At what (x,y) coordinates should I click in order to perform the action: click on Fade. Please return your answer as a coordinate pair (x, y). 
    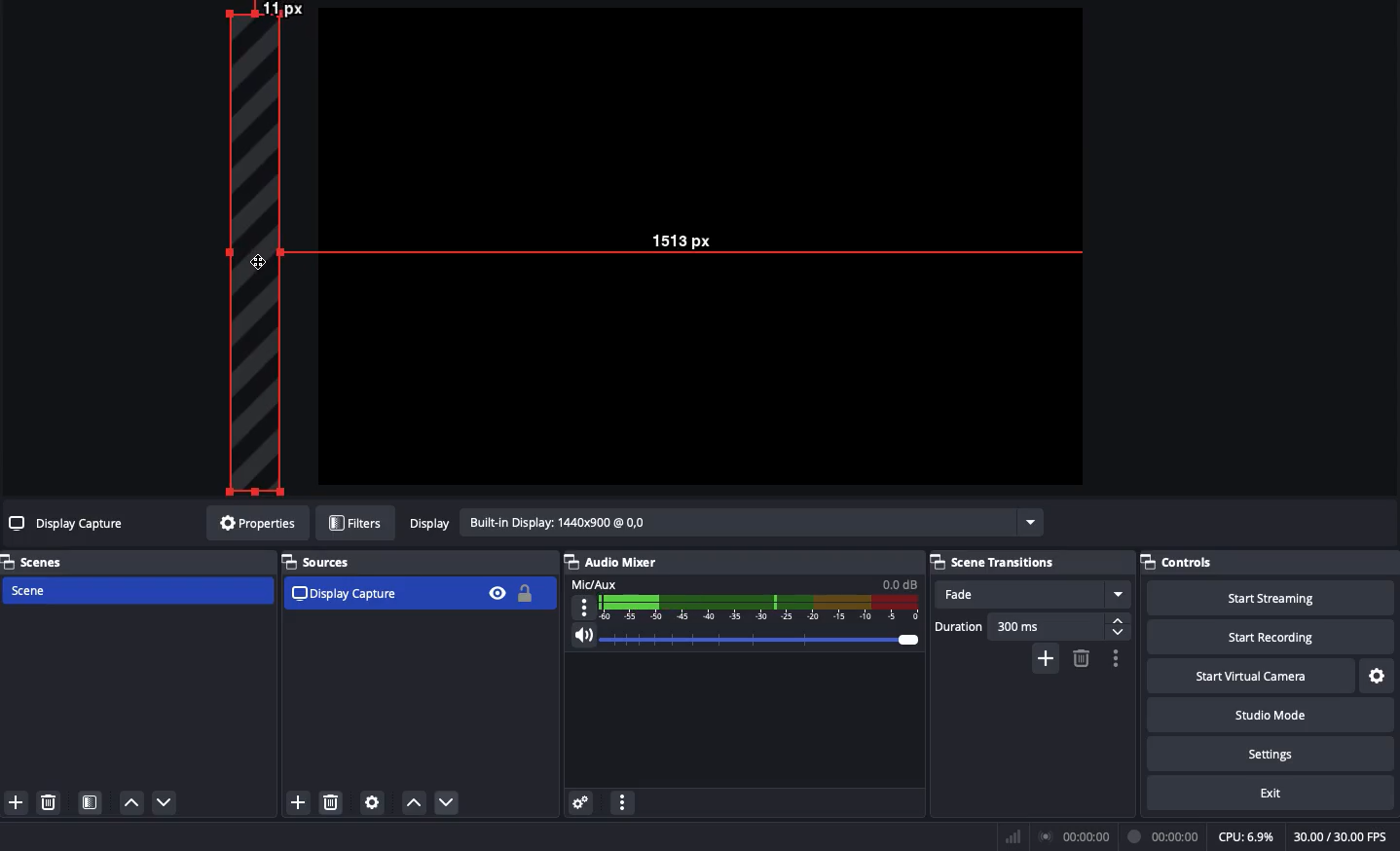
    Looking at the image, I should click on (1032, 595).